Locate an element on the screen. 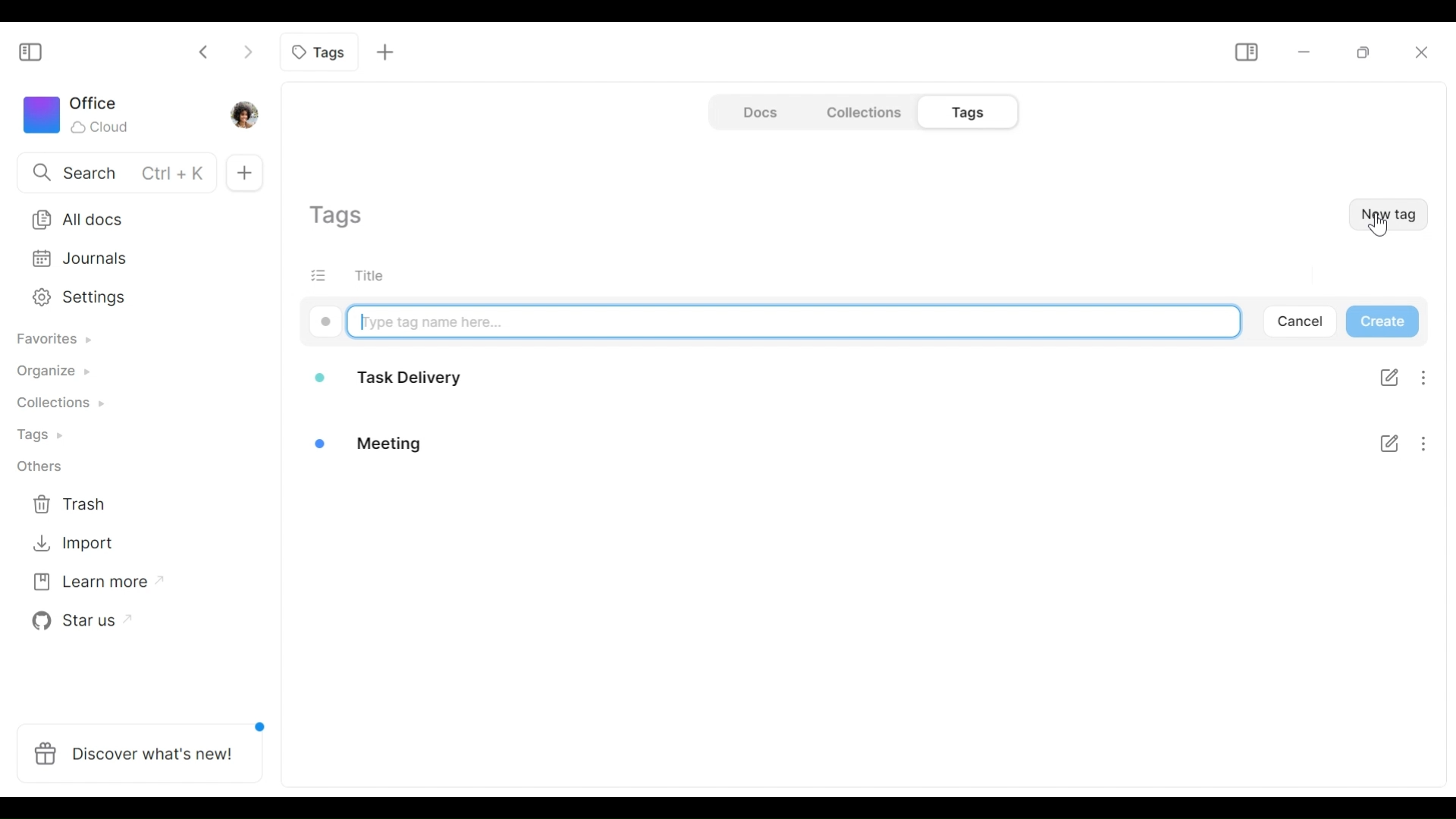  cursor is located at coordinates (1379, 231).